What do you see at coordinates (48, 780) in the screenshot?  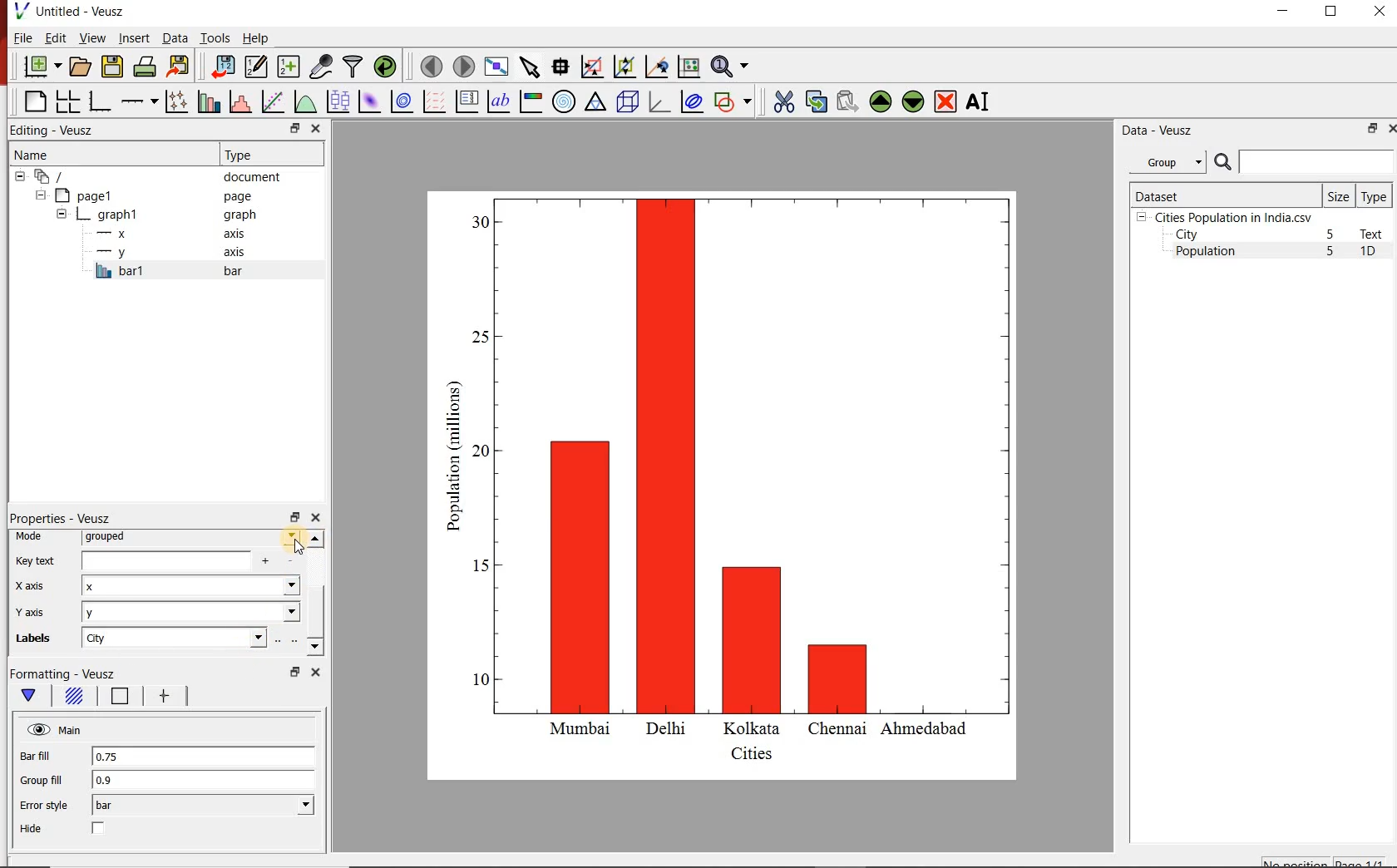 I see `Group fill` at bounding box center [48, 780].